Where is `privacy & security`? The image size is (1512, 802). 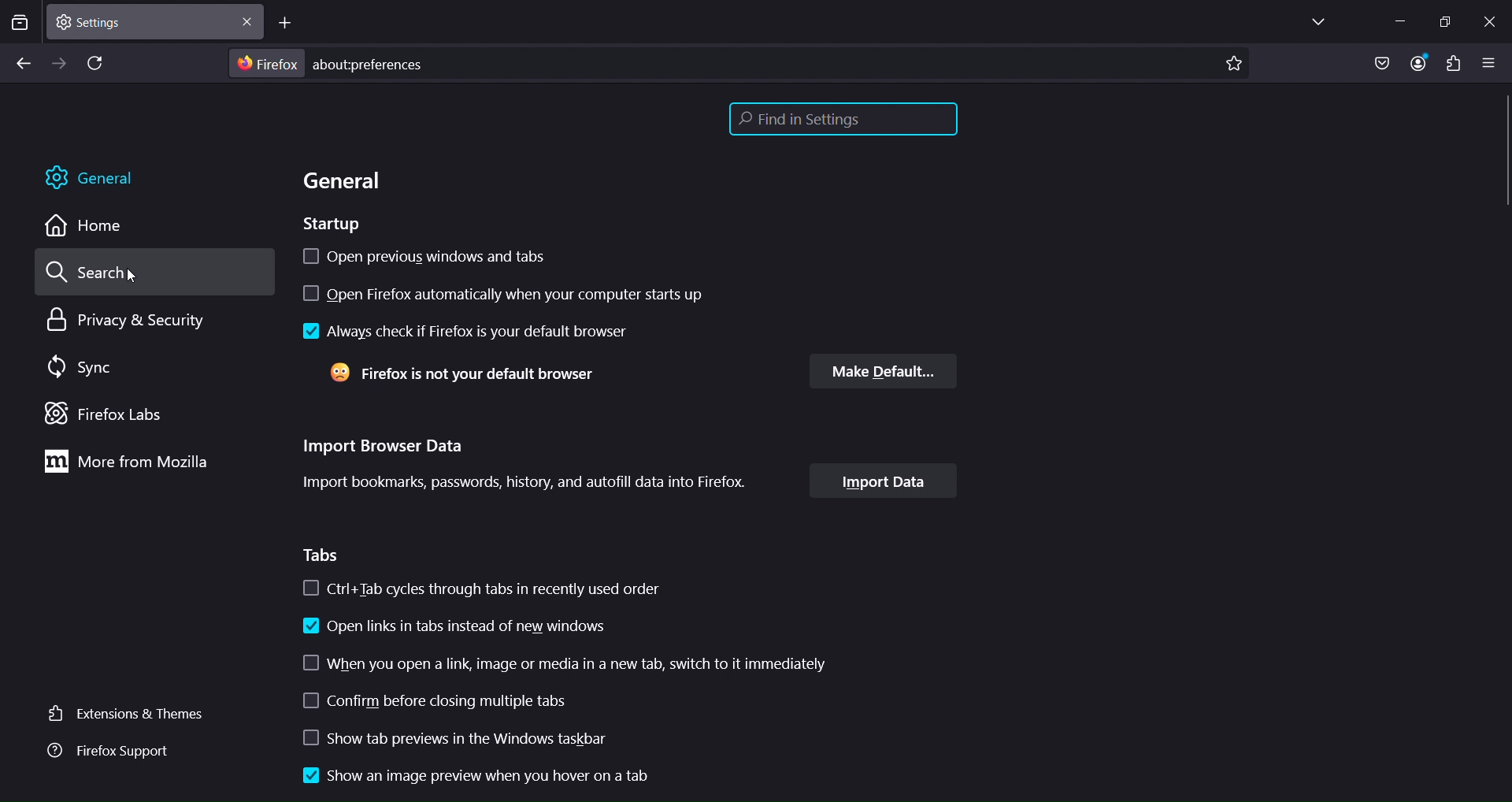 privacy & security is located at coordinates (120, 323).